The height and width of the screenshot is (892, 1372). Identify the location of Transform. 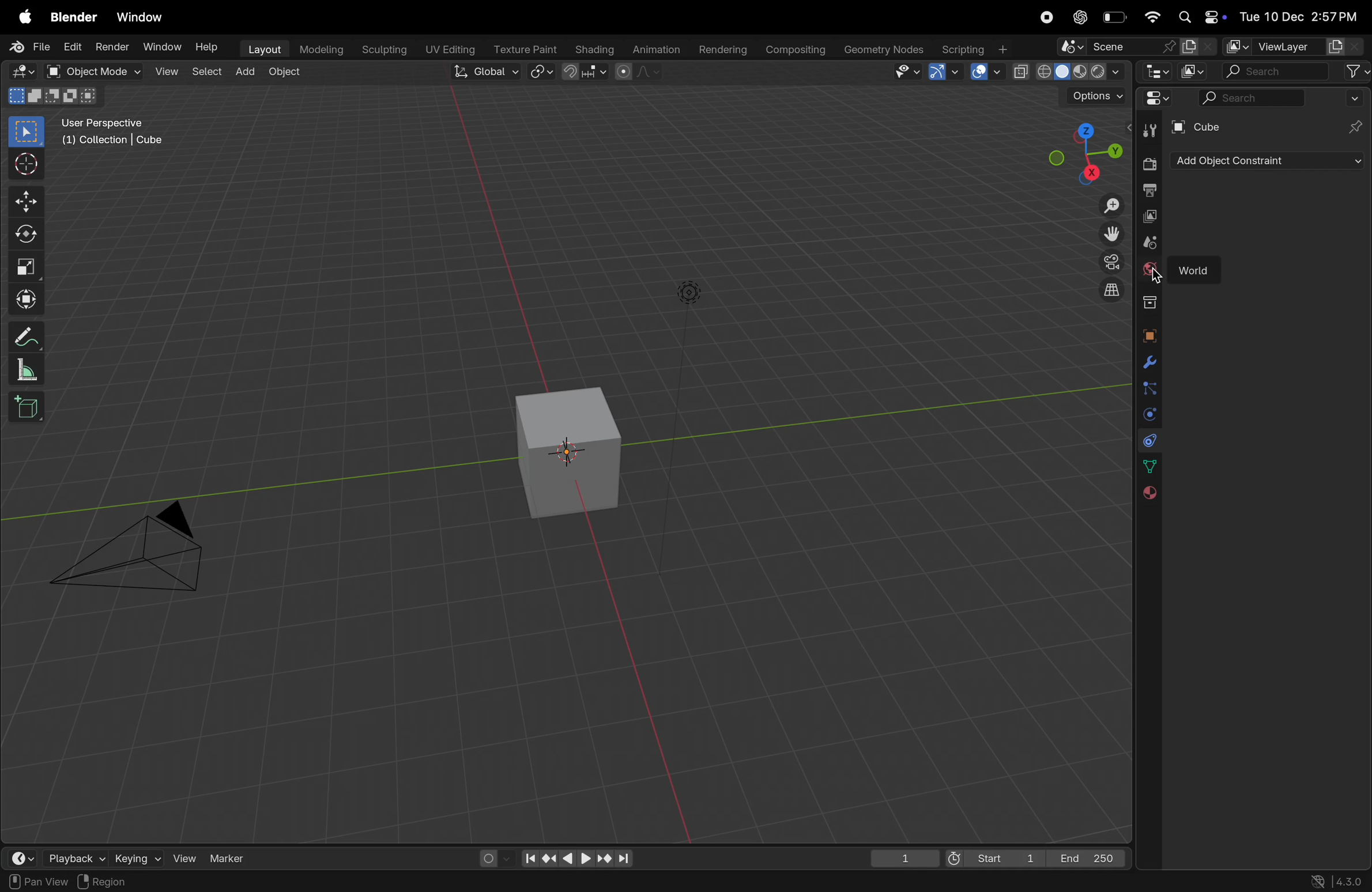
(28, 299).